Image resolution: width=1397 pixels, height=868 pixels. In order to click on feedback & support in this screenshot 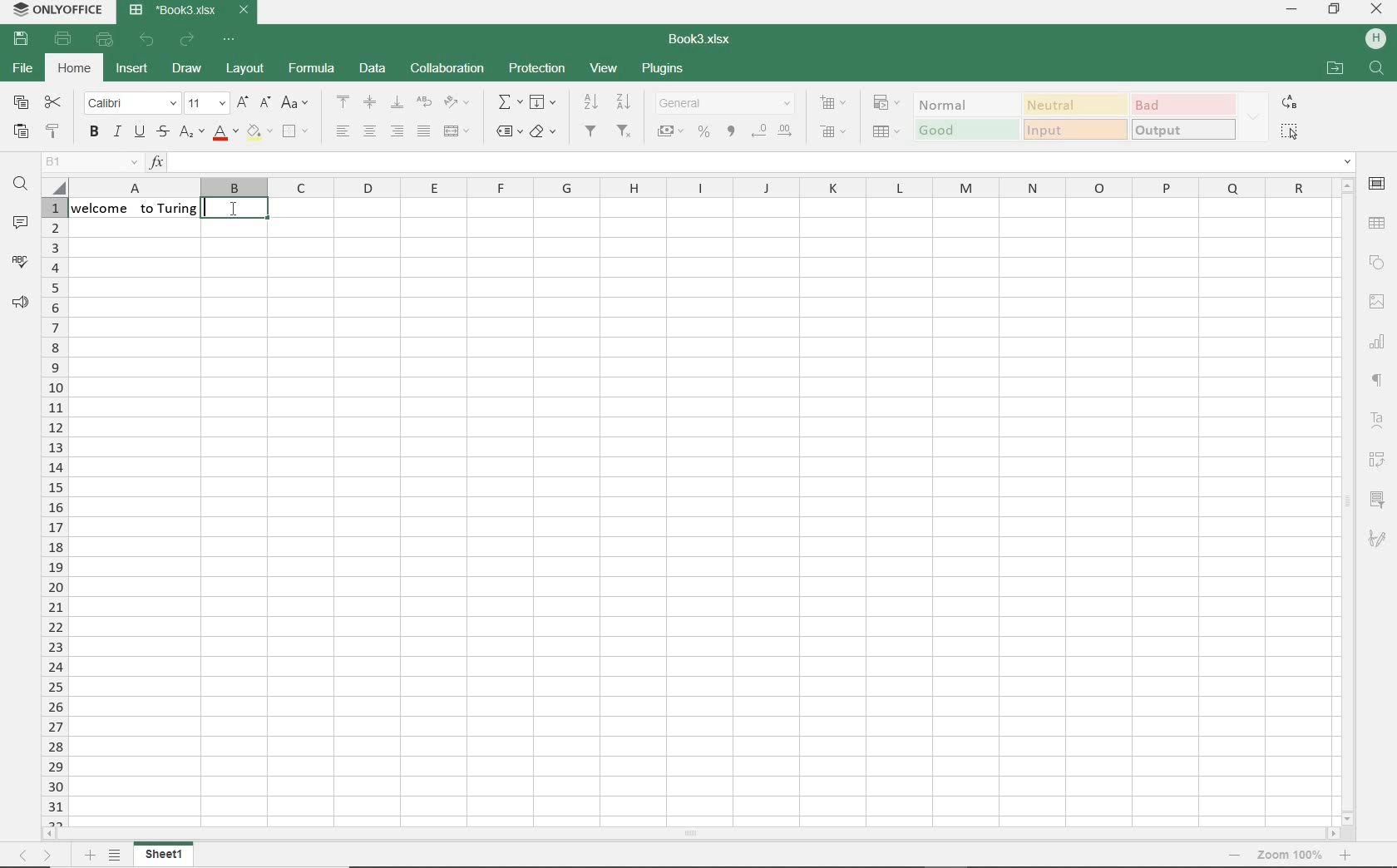, I will do `click(19, 303)`.